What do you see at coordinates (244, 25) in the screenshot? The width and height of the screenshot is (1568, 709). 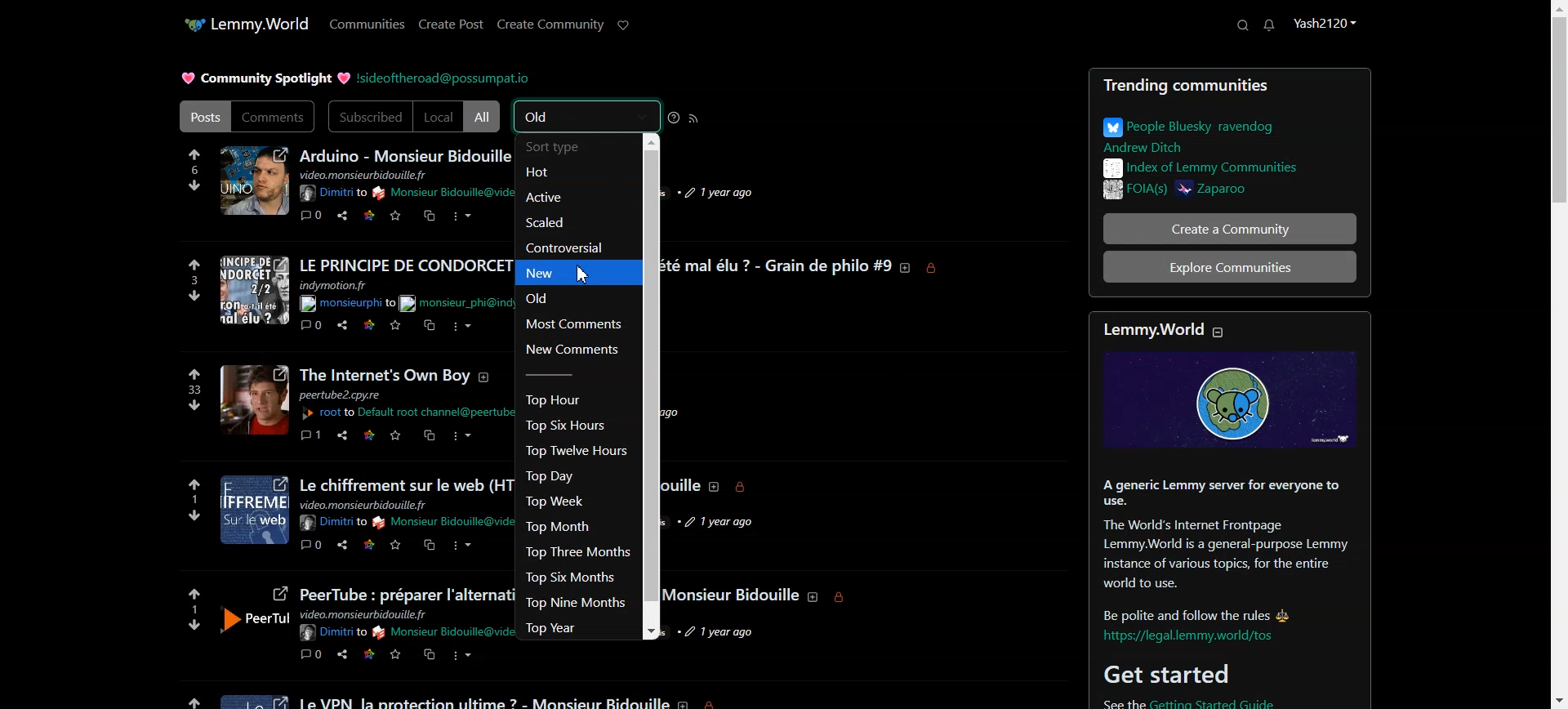 I see `Home Page` at bounding box center [244, 25].